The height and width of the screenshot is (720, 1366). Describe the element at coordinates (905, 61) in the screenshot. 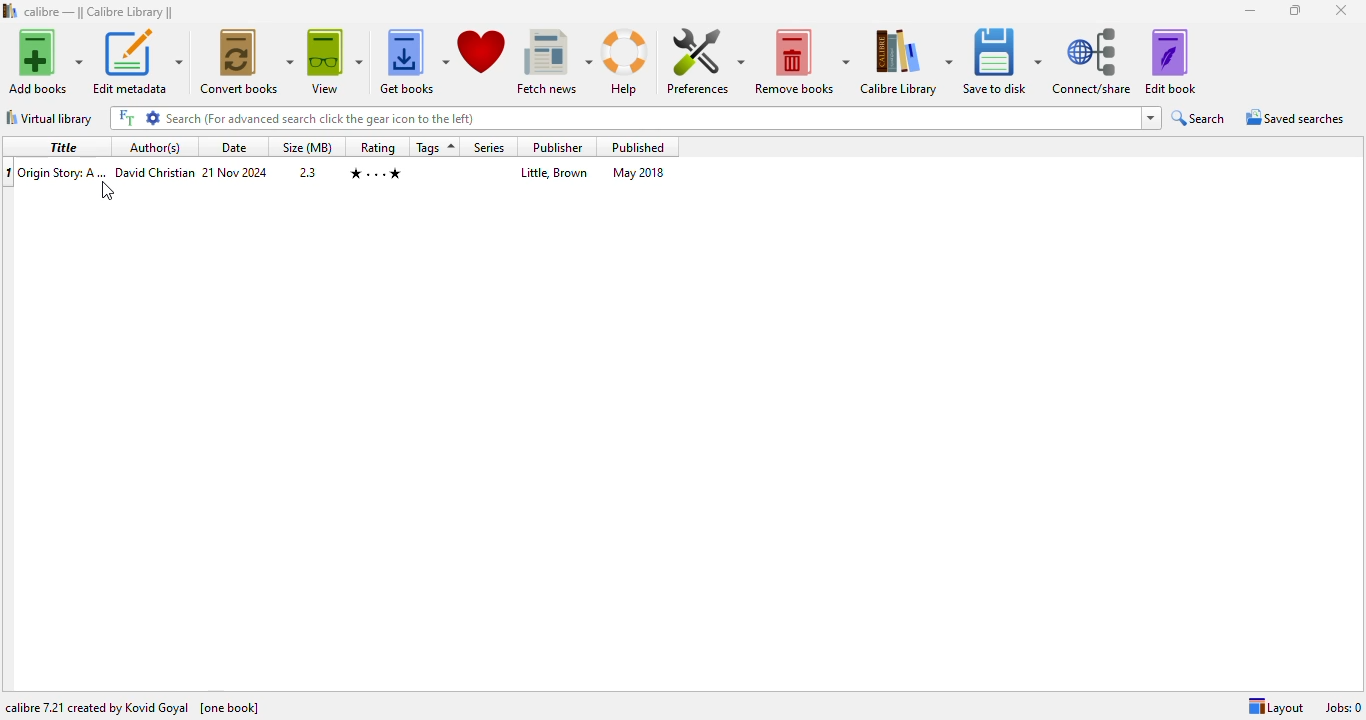

I see `calibre library` at that location.